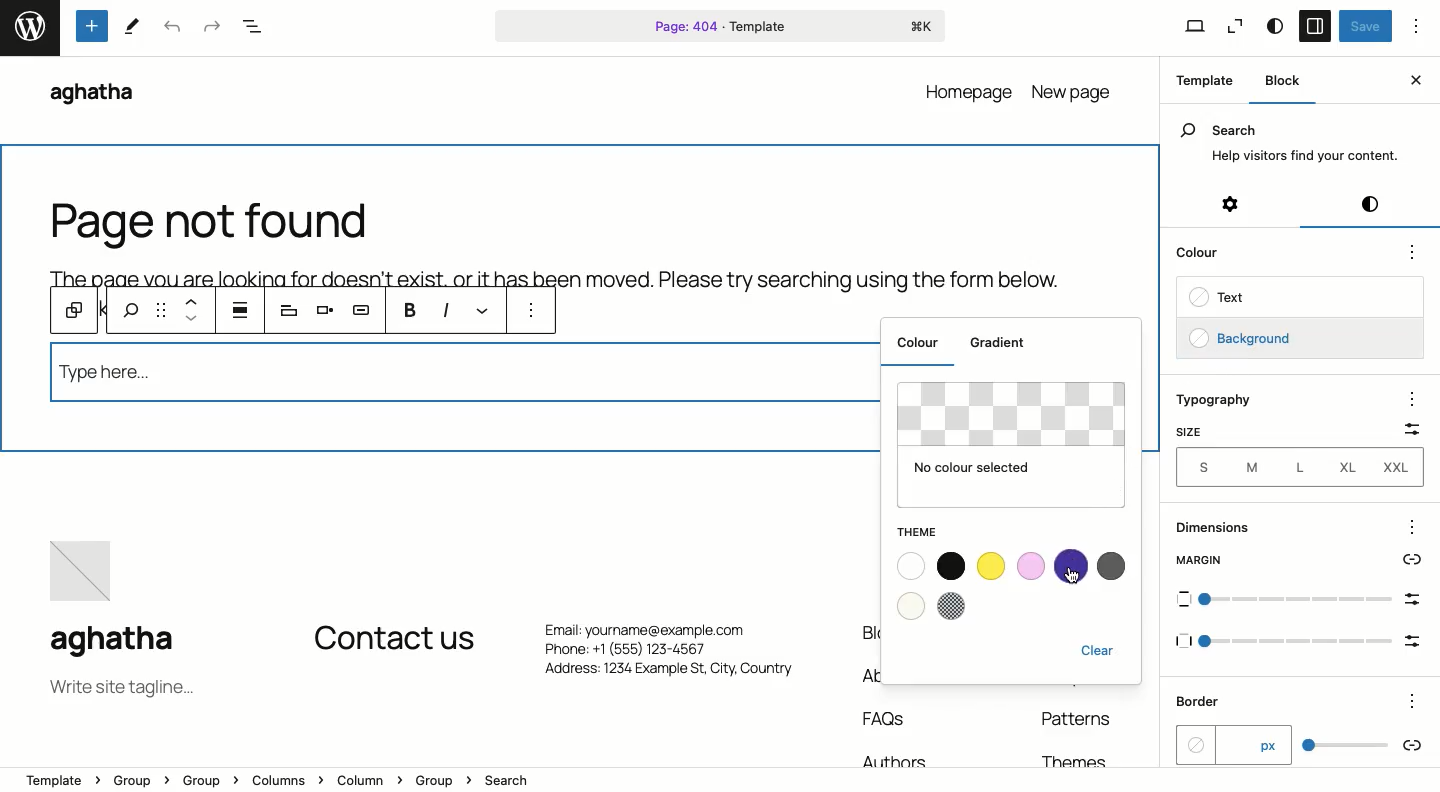 The width and height of the screenshot is (1440, 792). Describe the element at coordinates (90, 93) in the screenshot. I see `aghatha` at that location.